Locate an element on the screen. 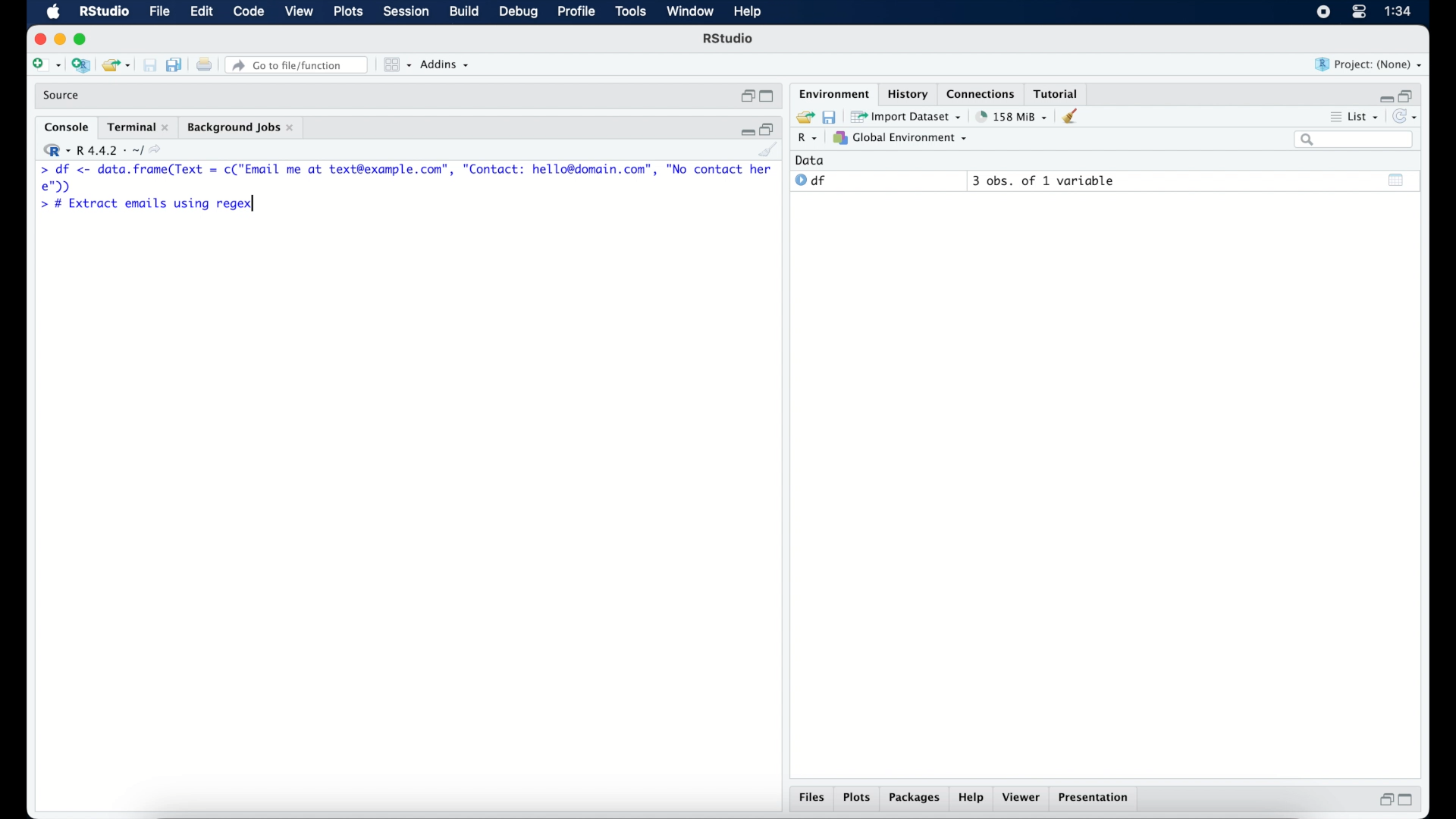 The height and width of the screenshot is (819, 1456). screen recorder icon is located at coordinates (1323, 12).